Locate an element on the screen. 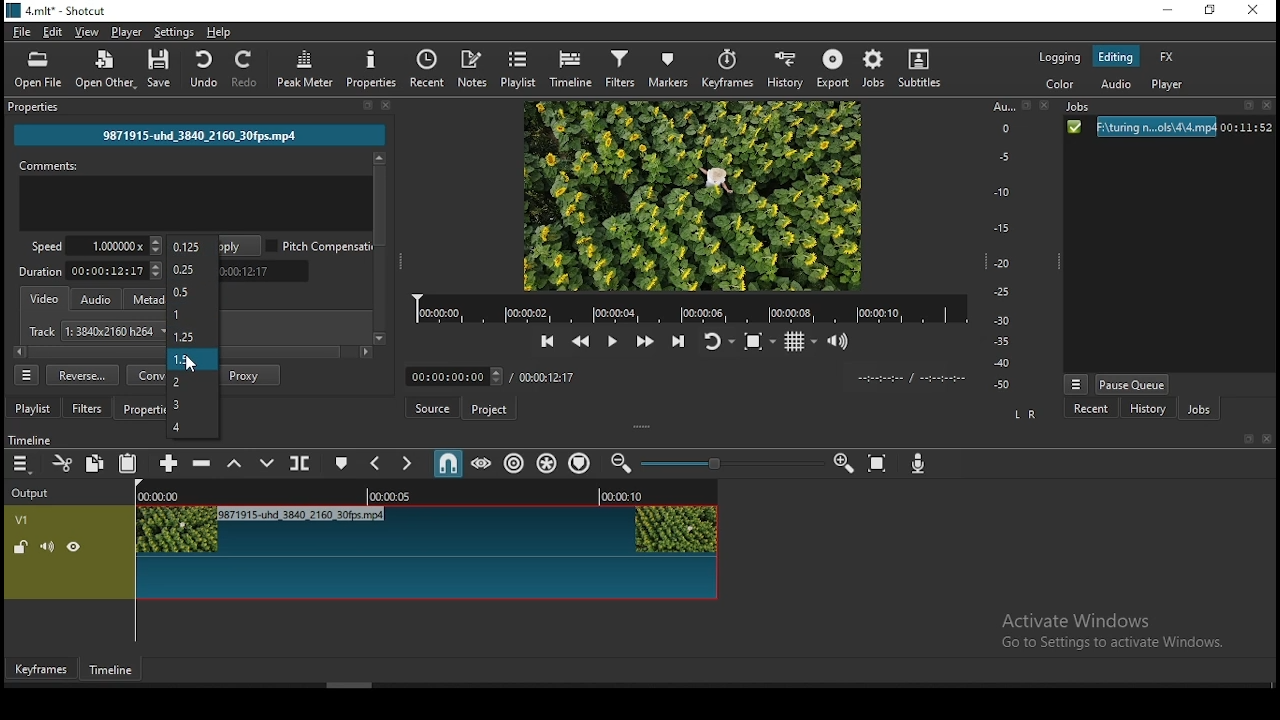 Image resolution: width=1280 pixels, height=720 pixels. Player is located at coordinates (691, 309).